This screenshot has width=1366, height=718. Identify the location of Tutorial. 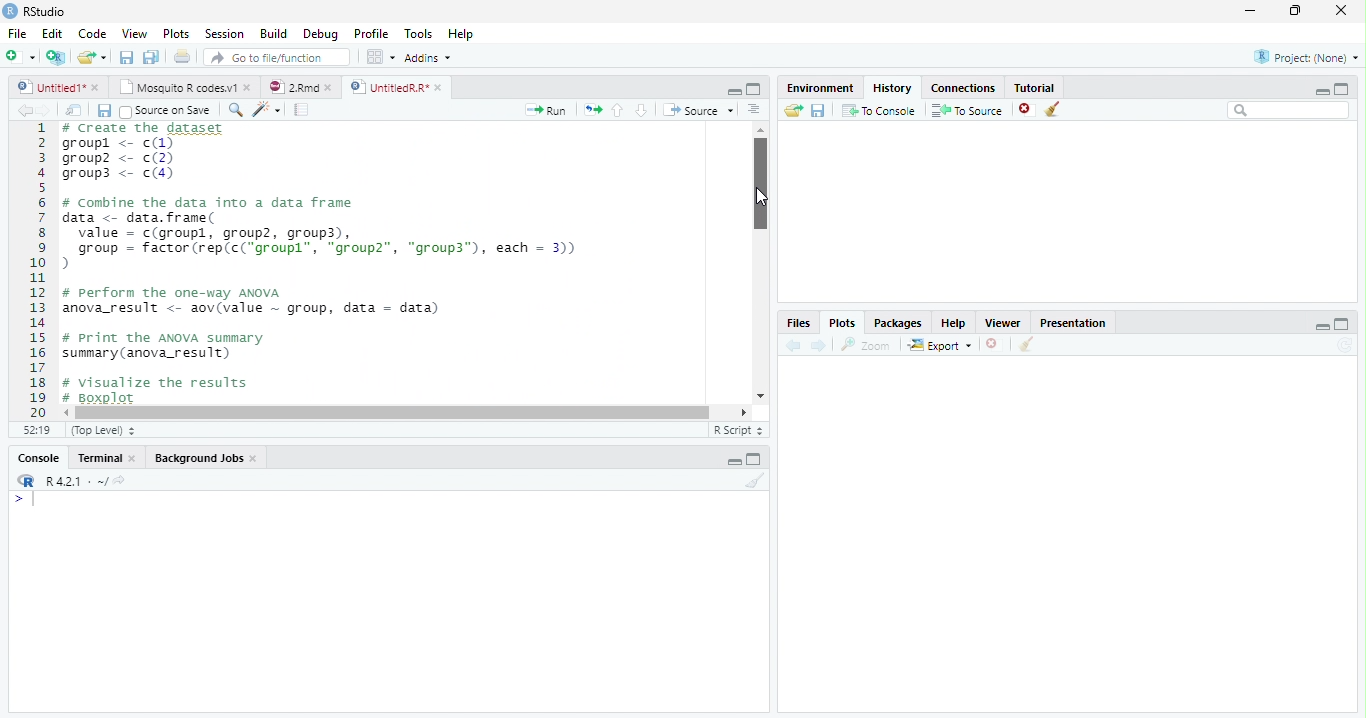
(1036, 86).